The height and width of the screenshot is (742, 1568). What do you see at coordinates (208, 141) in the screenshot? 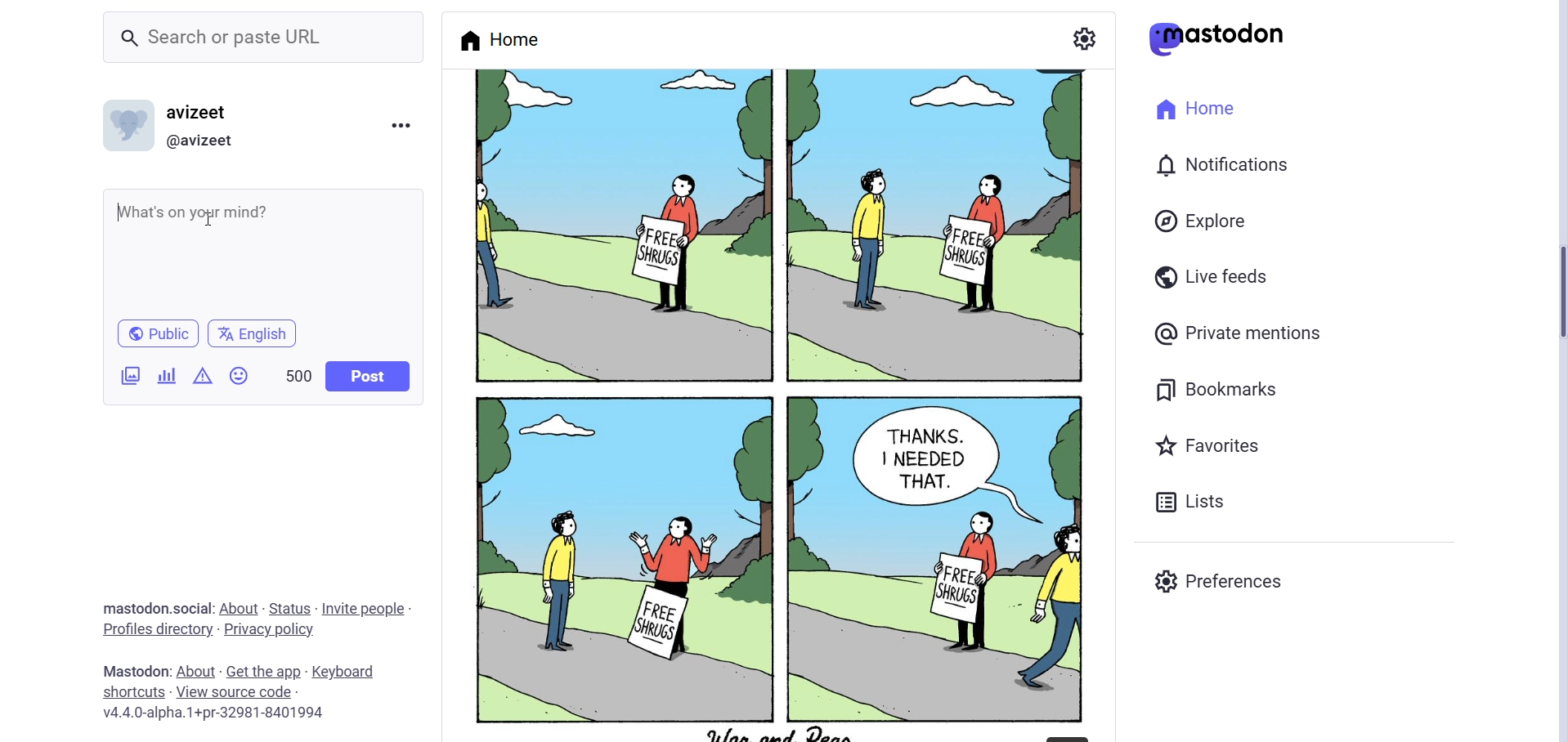
I see `@ Username` at bounding box center [208, 141].